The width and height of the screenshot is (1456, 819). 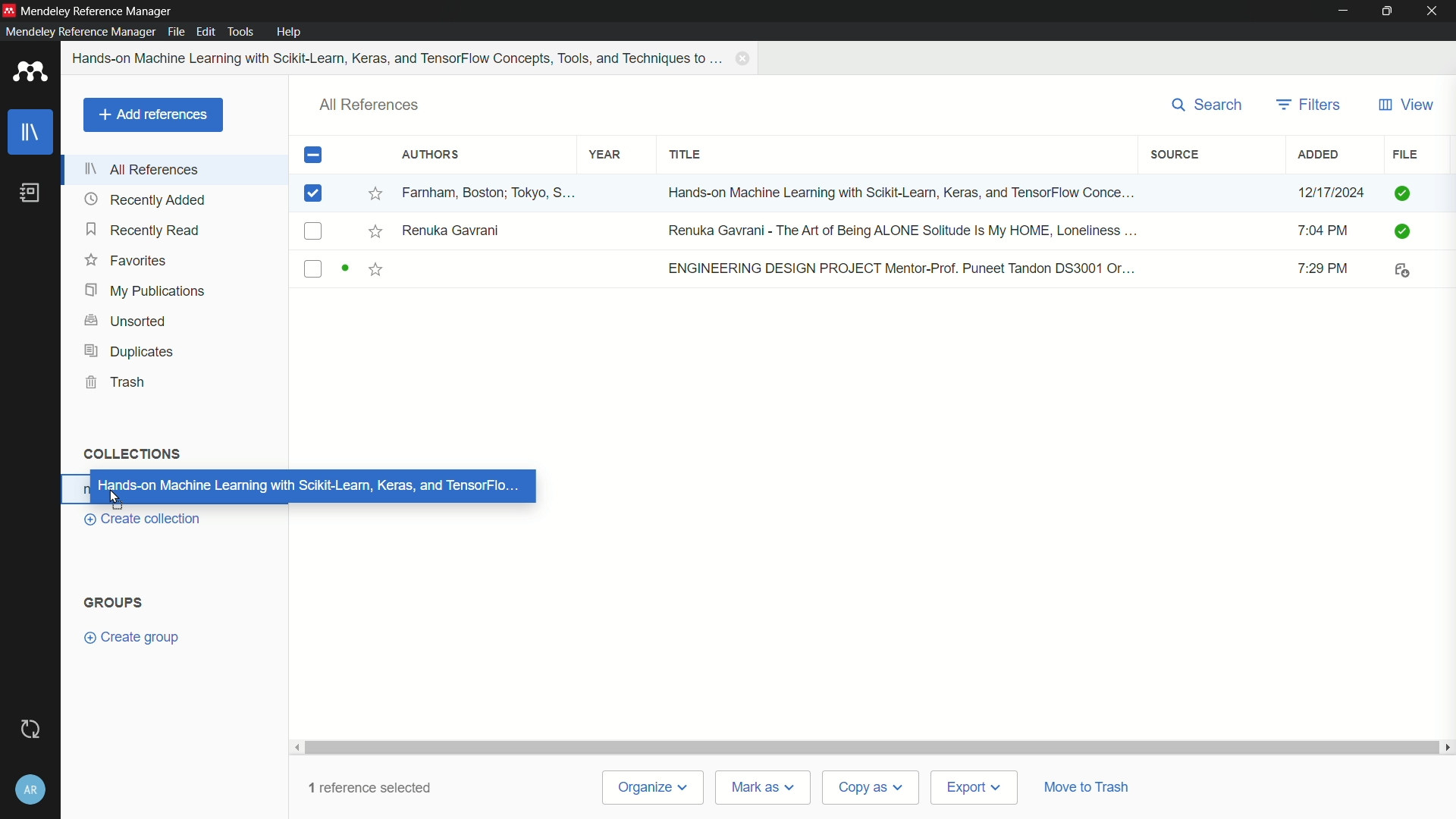 What do you see at coordinates (143, 291) in the screenshot?
I see `my publications` at bounding box center [143, 291].